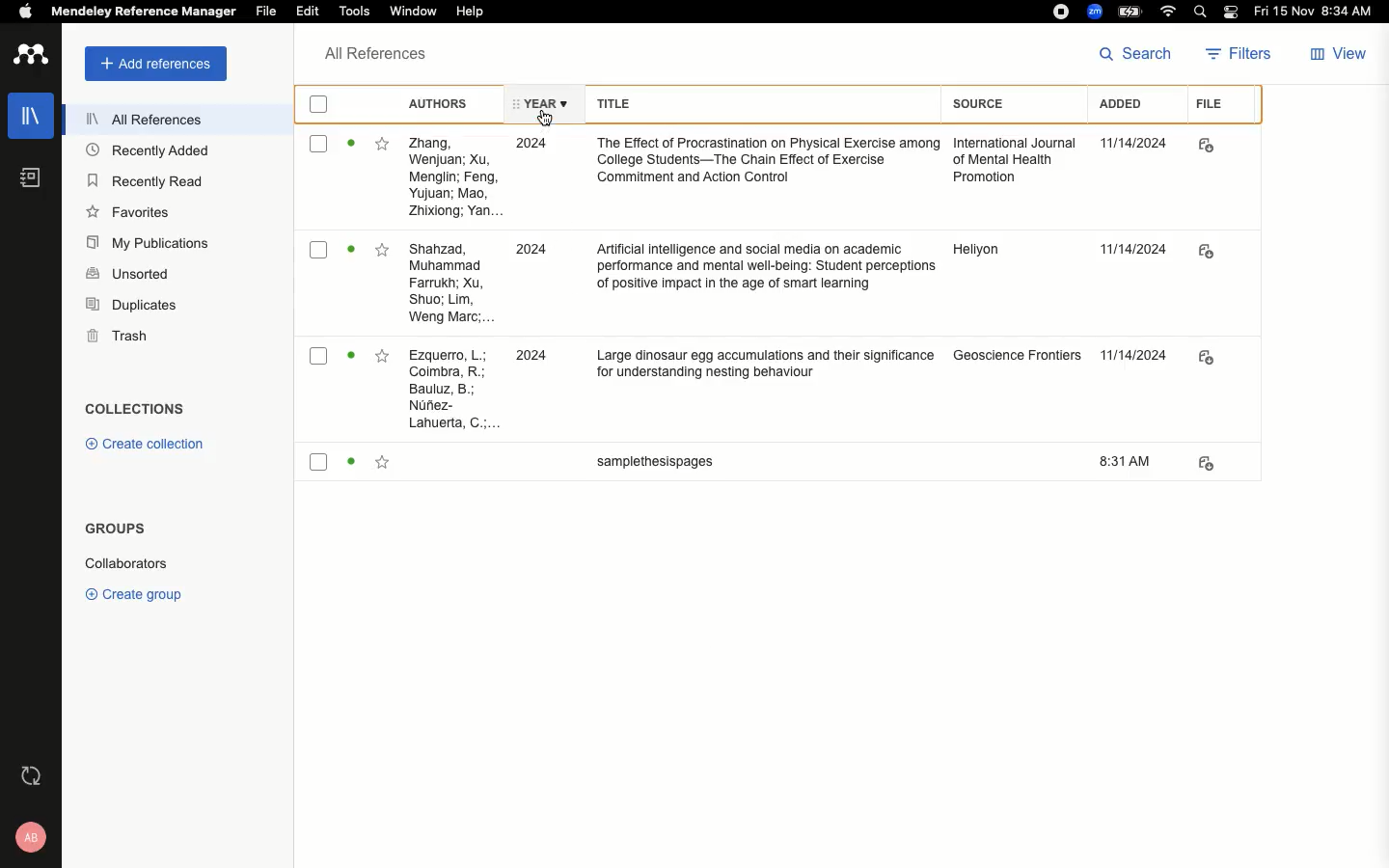 The image size is (1389, 868). Describe the element at coordinates (1133, 461) in the screenshot. I see `added ` at that location.